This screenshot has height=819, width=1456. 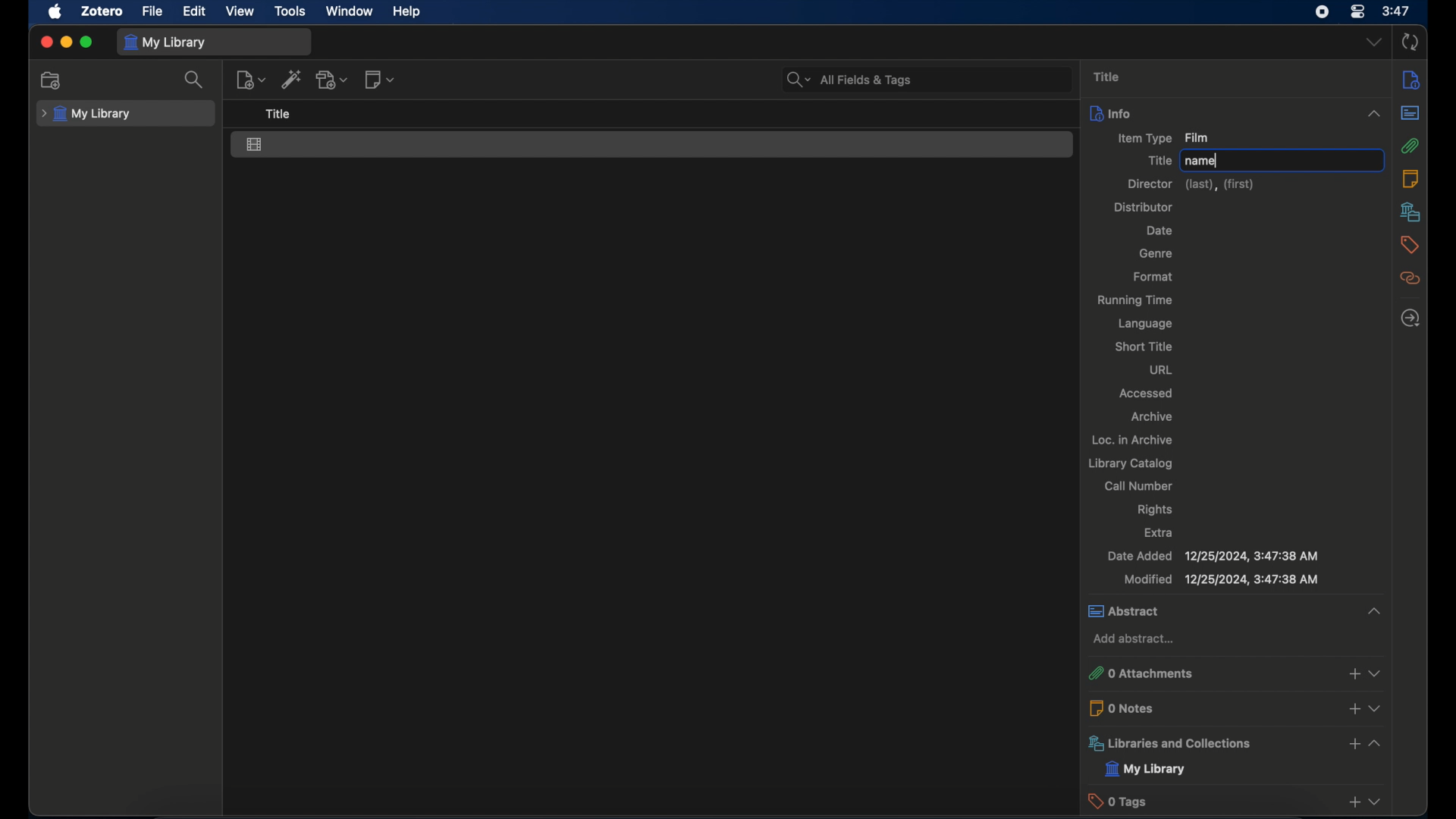 What do you see at coordinates (1162, 369) in the screenshot?
I see `url` at bounding box center [1162, 369].